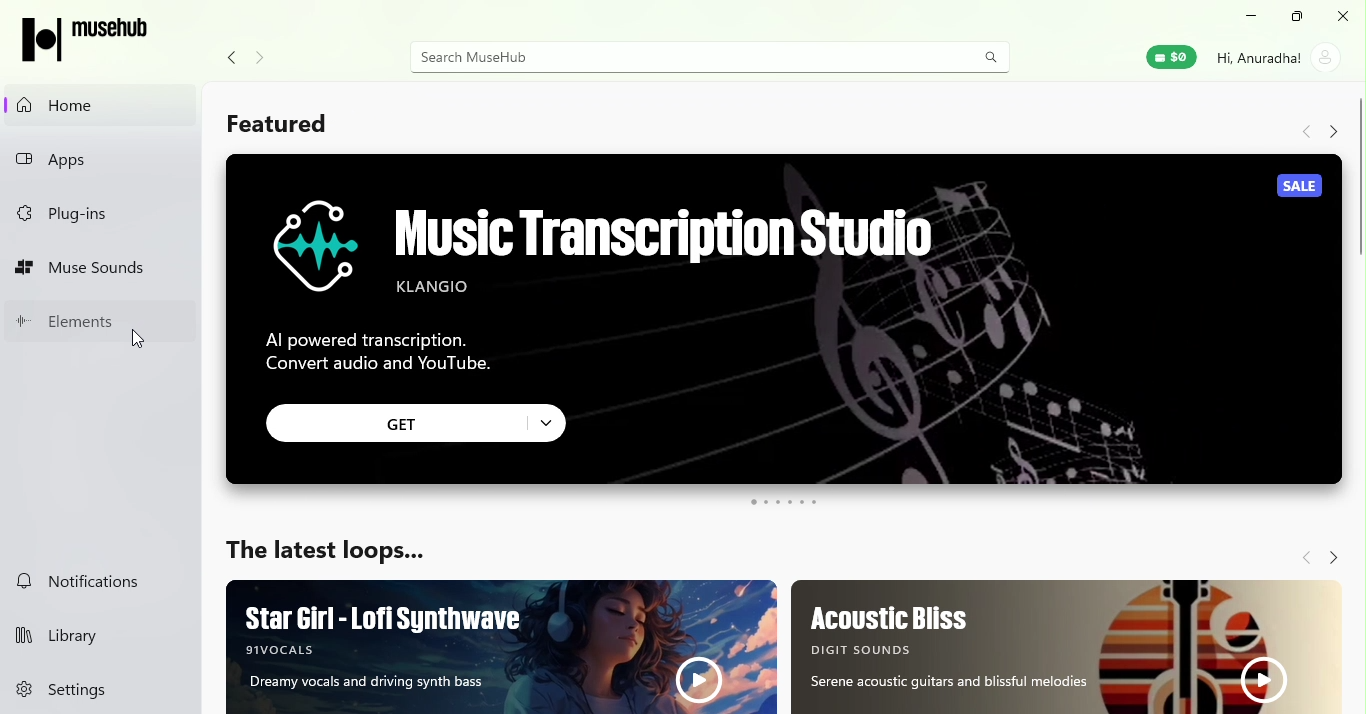 The image size is (1366, 714). What do you see at coordinates (786, 503) in the screenshot?
I see `swipe button` at bounding box center [786, 503].